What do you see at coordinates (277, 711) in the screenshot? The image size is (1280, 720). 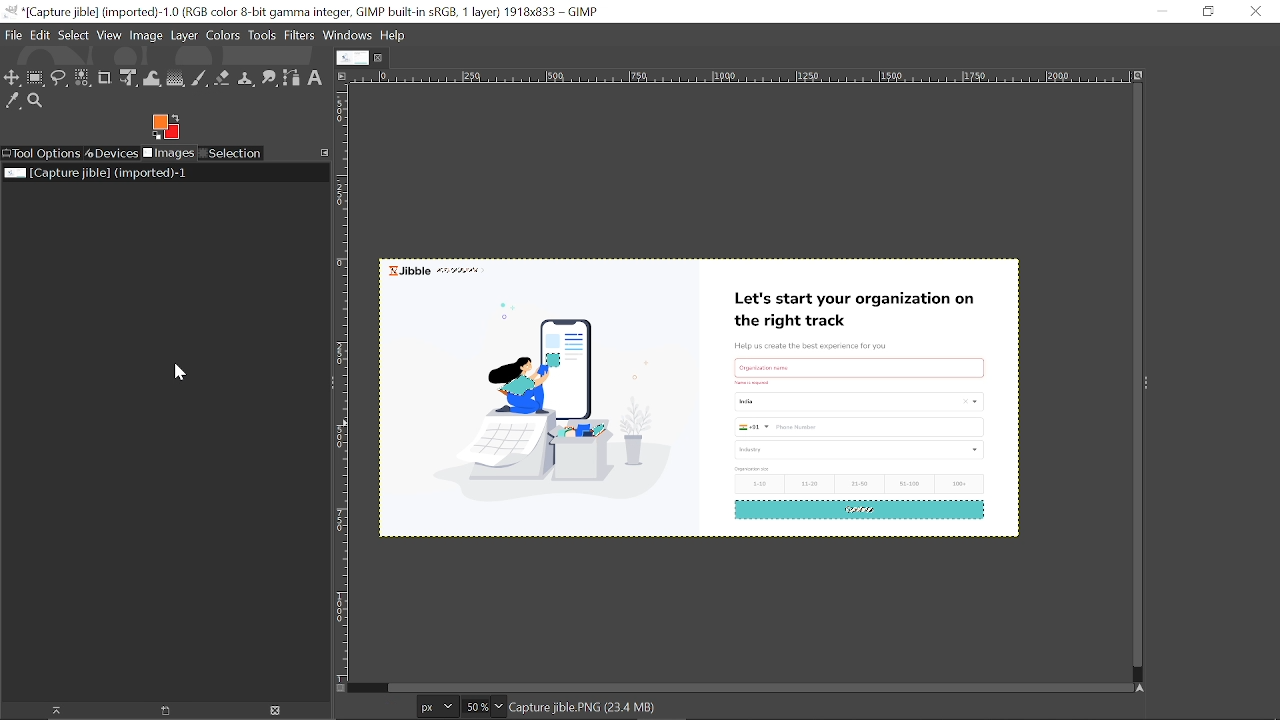 I see `Delete image` at bounding box center [277, 711].